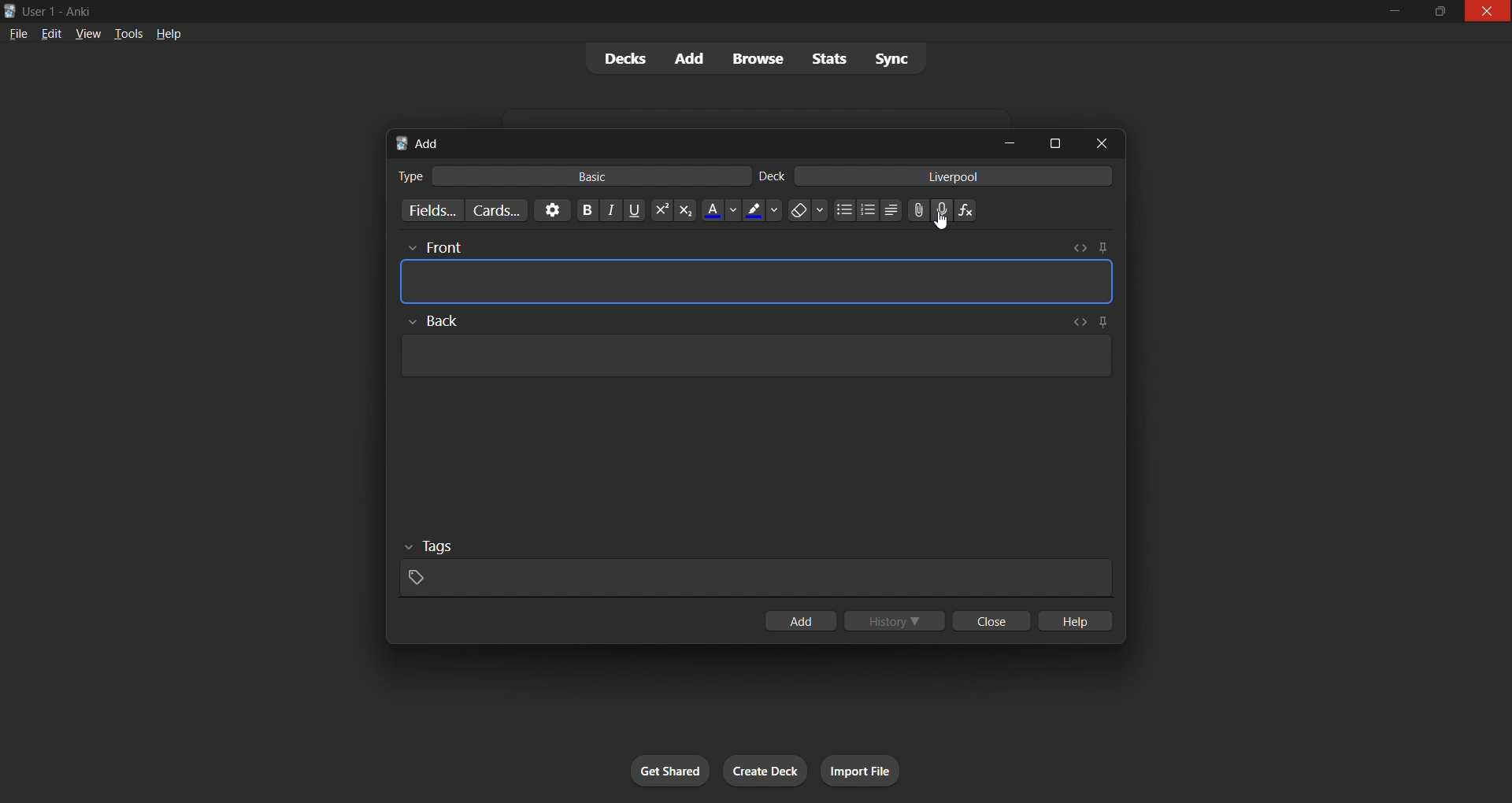  Describe the element at coordinates (660, 11) in the screenshot. I see `windows title bar` at that location.